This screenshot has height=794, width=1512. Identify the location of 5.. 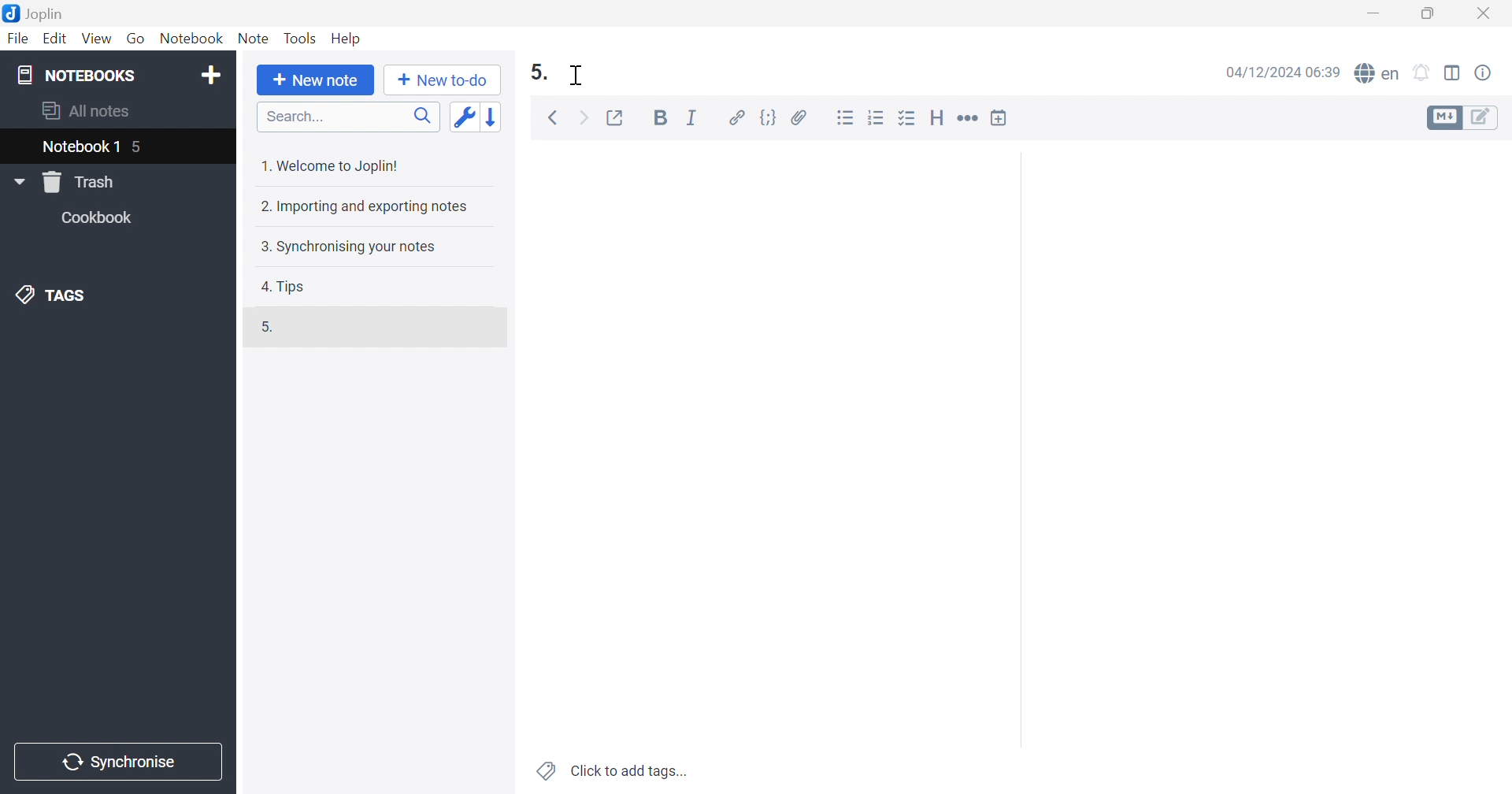
(538, 72).